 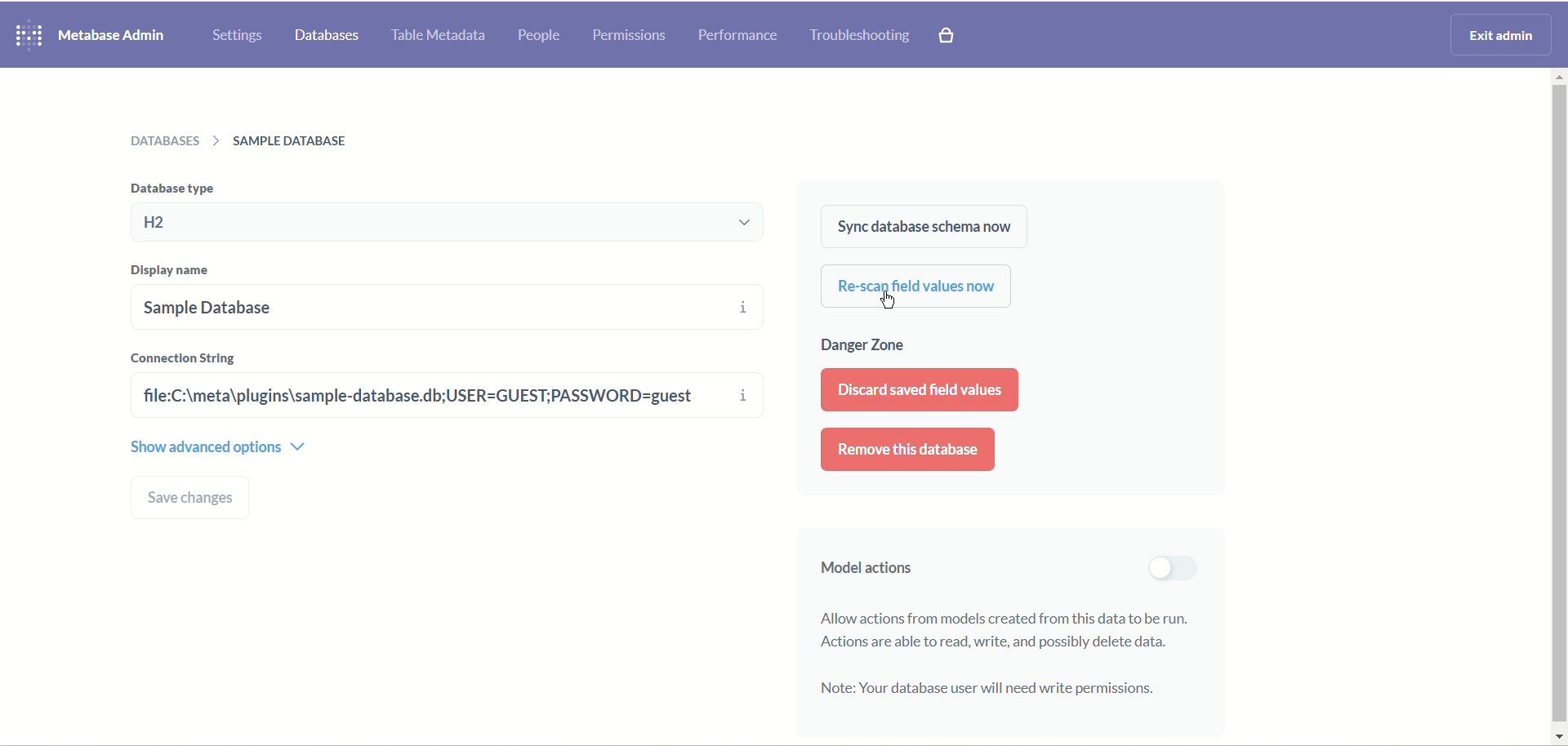 I want to click on people, so click(x=540, y=37).